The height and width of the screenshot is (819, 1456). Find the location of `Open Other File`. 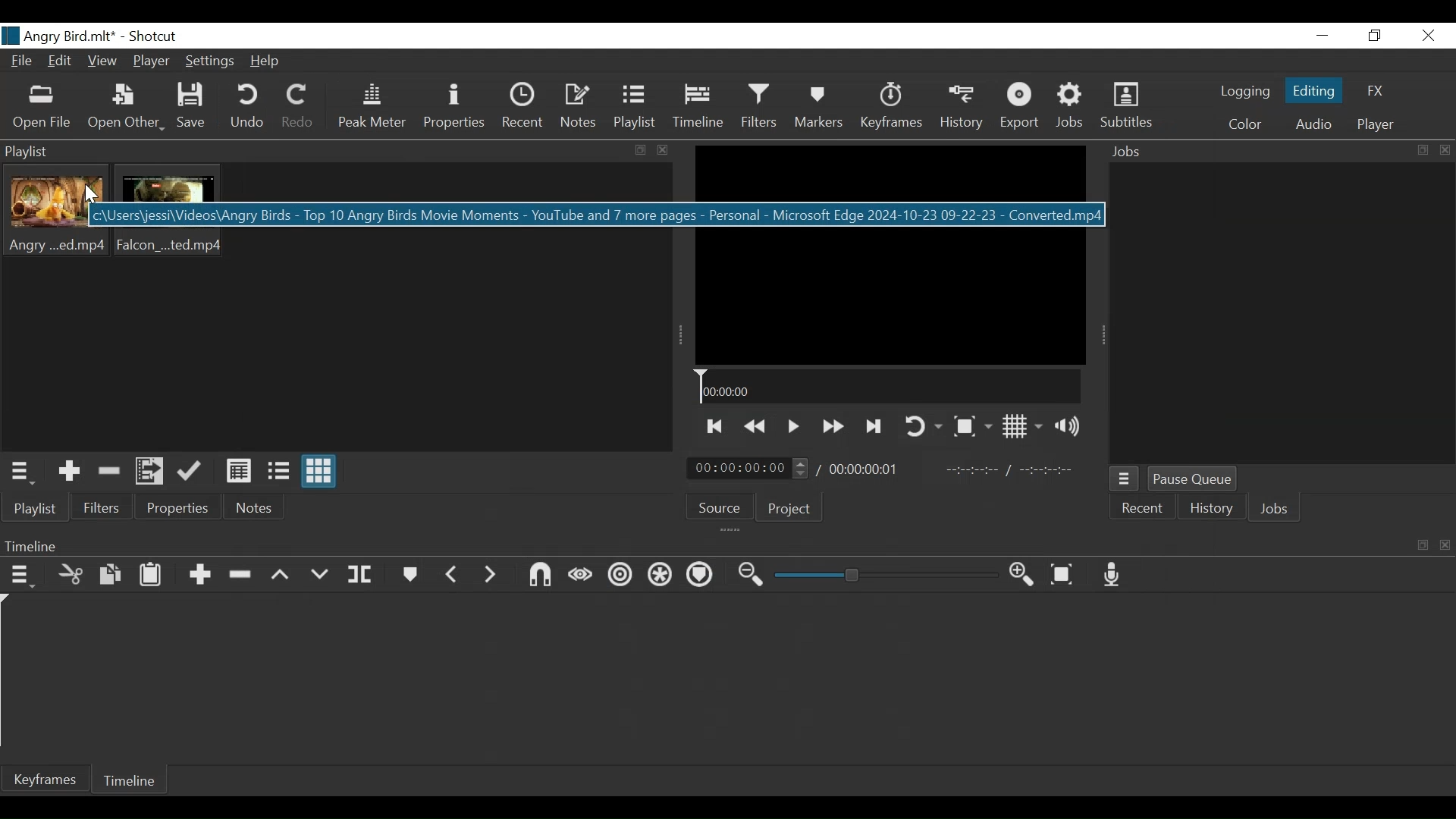

Open Other File is located at coordinates (42, 109).